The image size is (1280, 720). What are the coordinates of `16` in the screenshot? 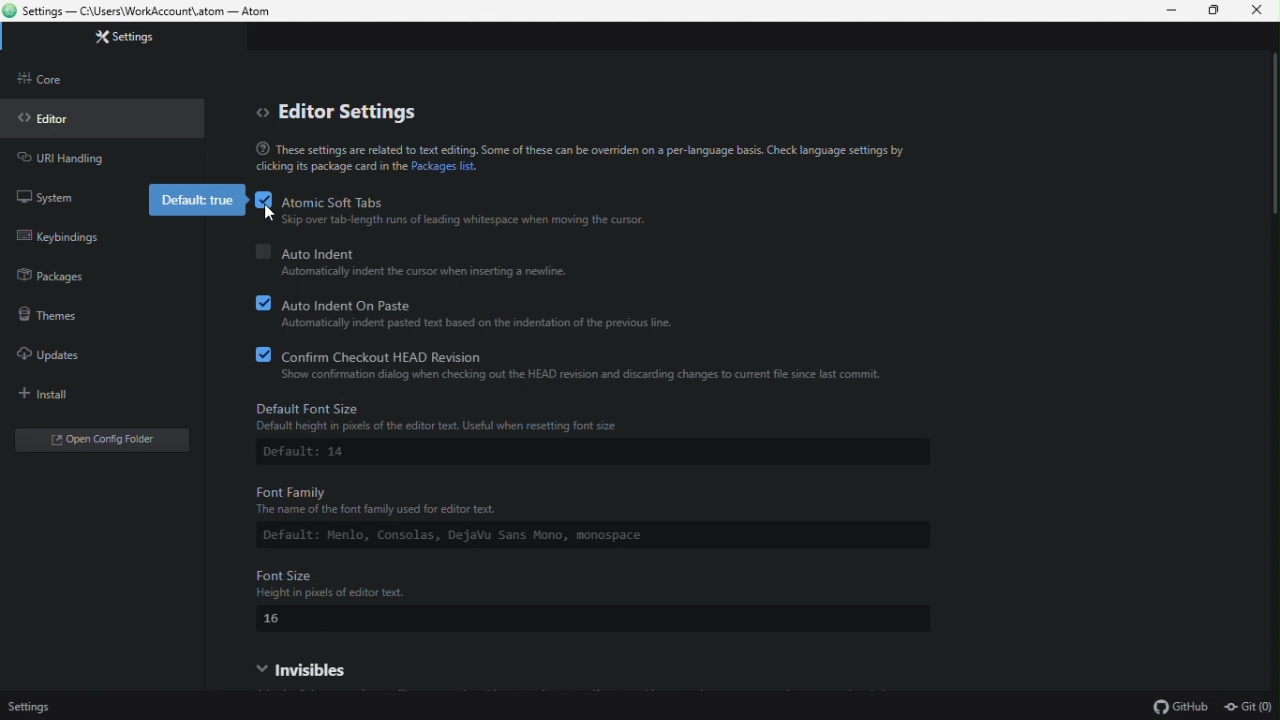 It's located at (275, 619).